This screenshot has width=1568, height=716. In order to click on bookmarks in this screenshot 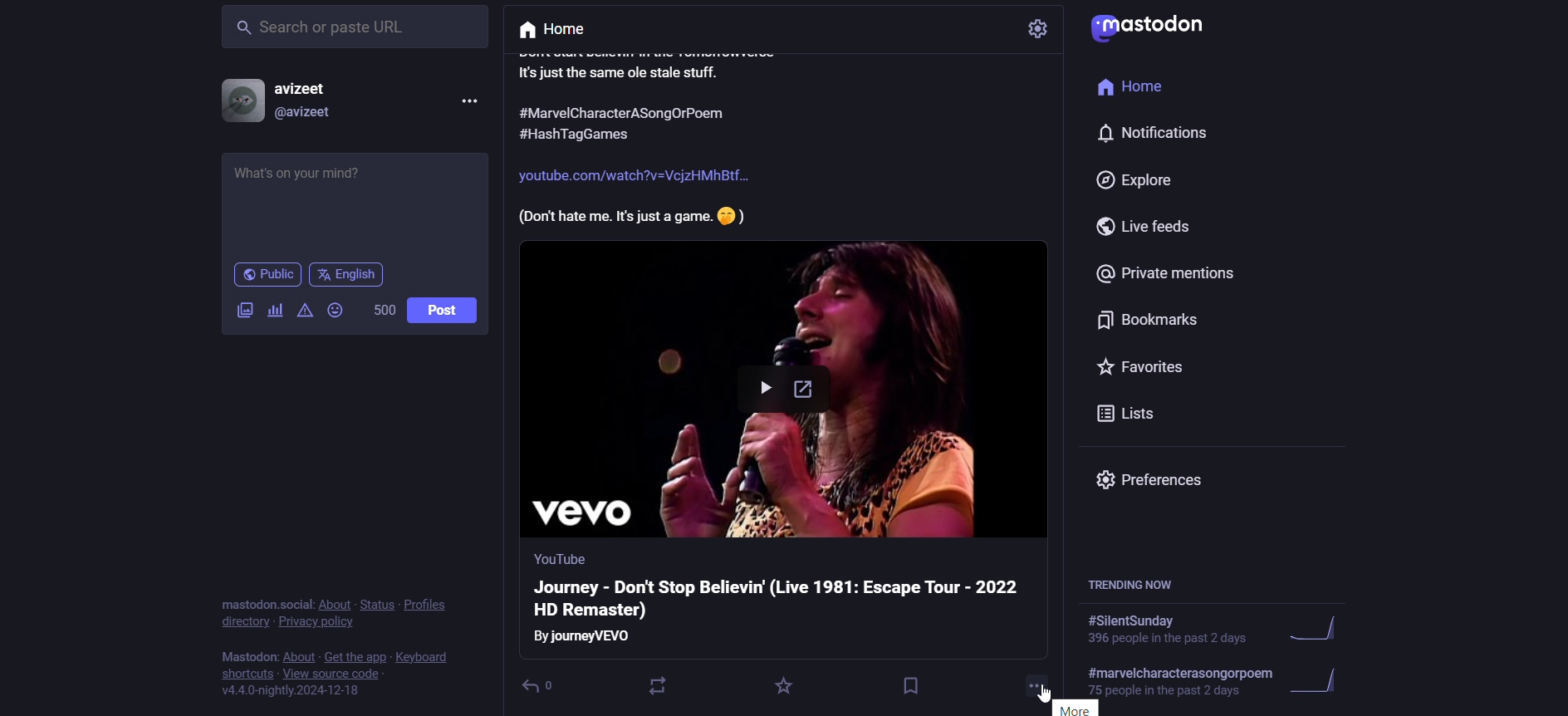, I will do `click(1162, 319)`.